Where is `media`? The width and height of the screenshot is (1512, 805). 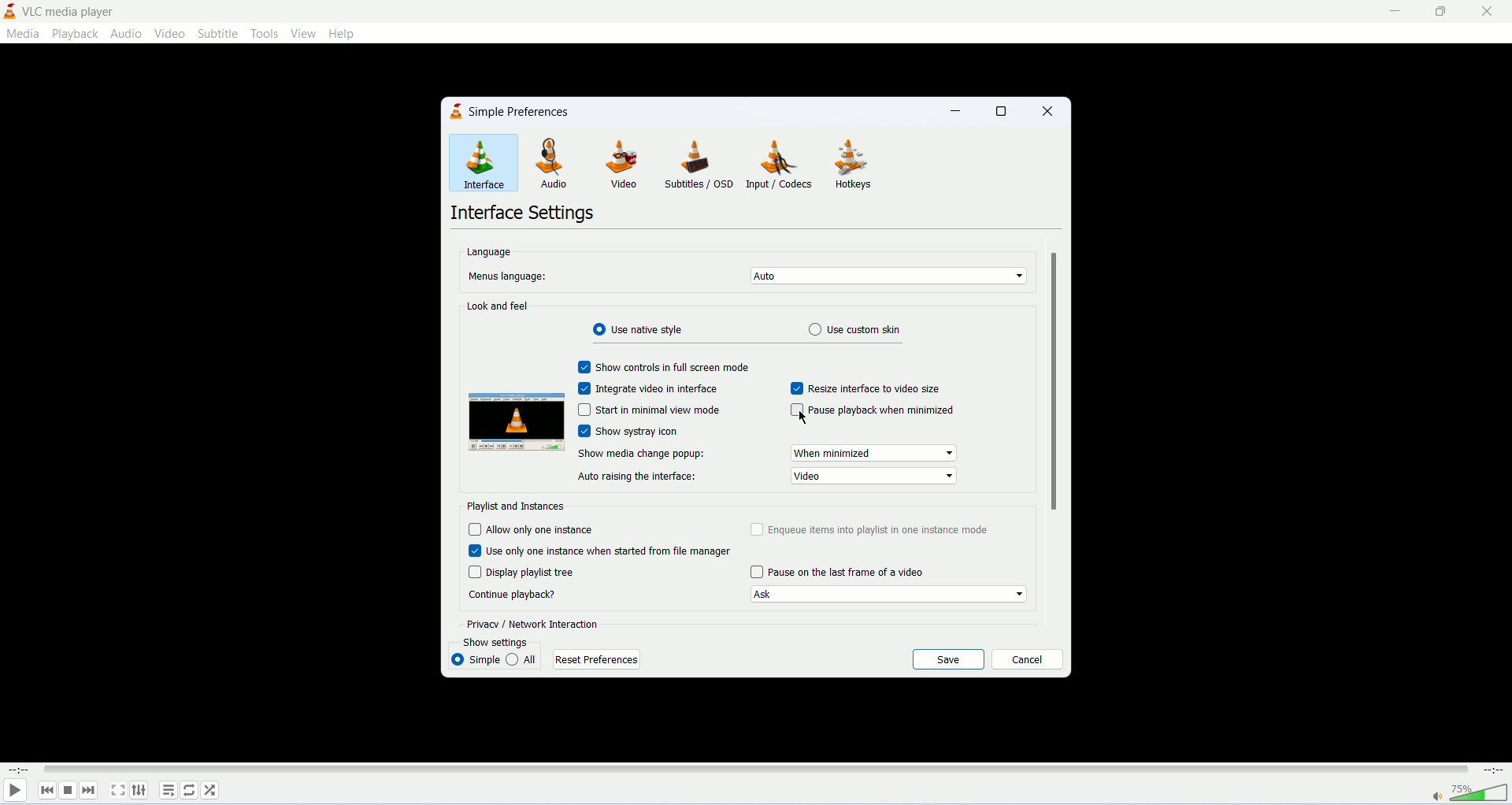
media is located at coordinates (23, 34).